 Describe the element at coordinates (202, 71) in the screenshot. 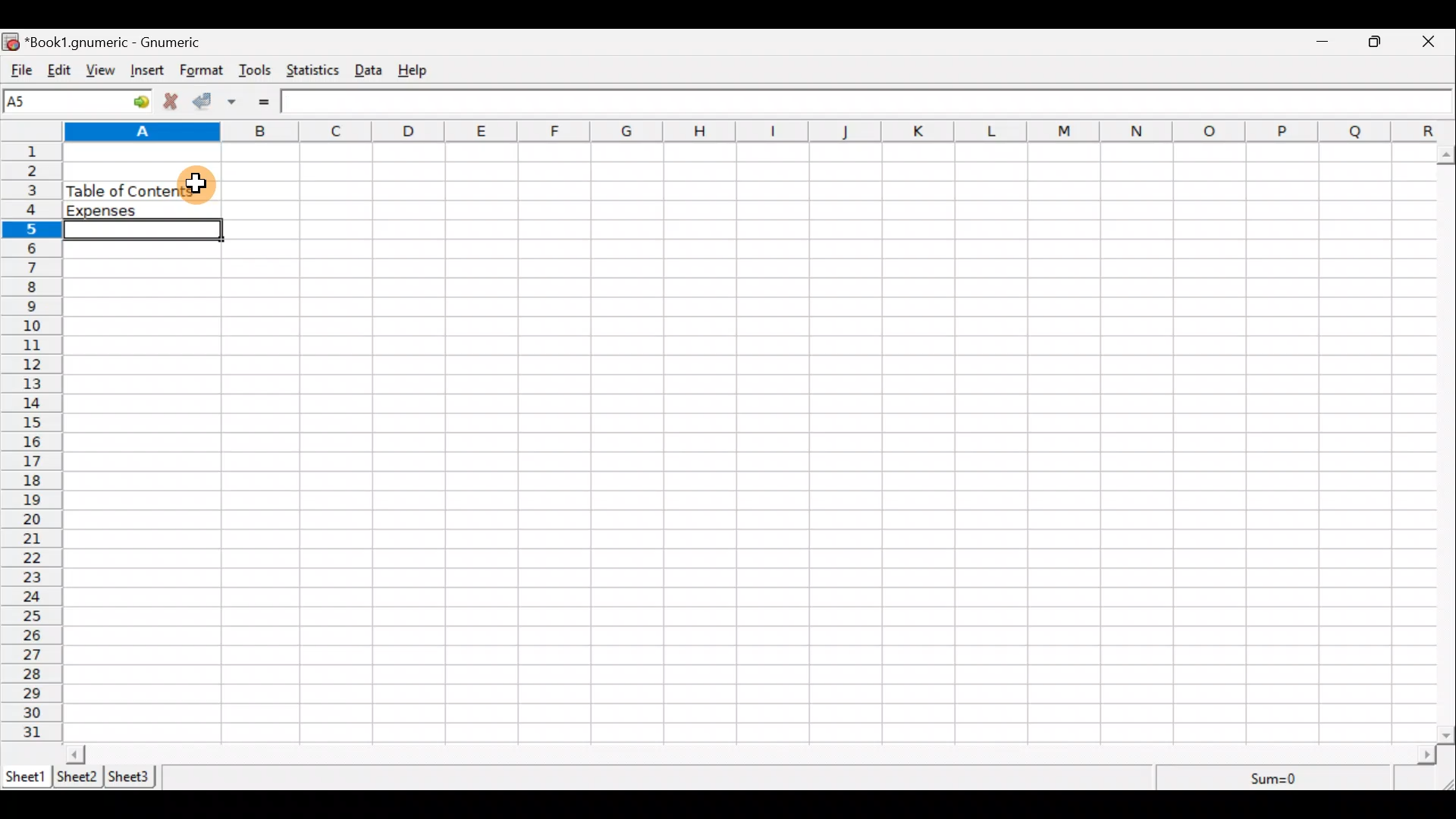

I see `Format` at that location.